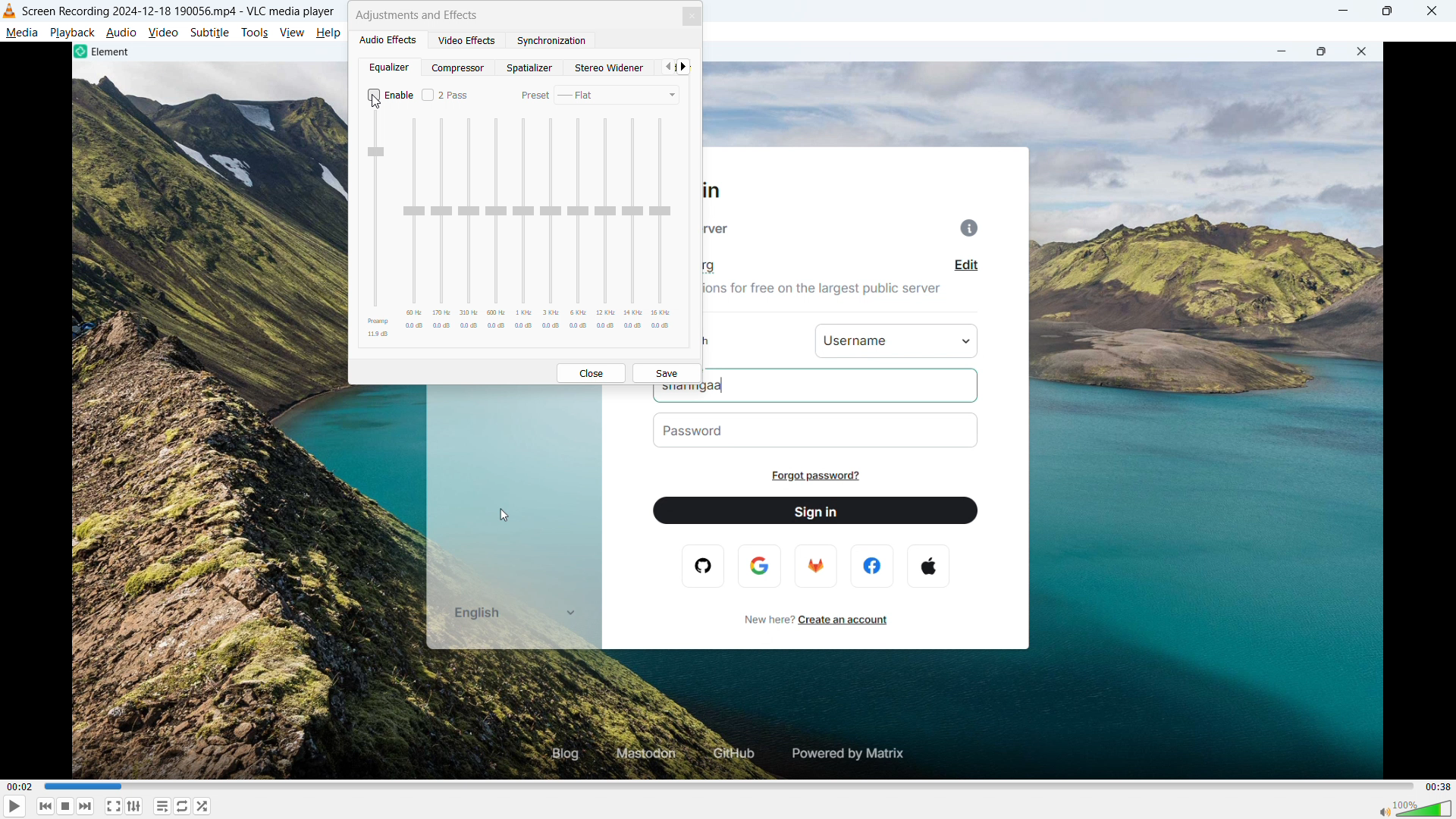  What do you see at coordinates (535, 96) in the screenshot?
I see `preset` at bounding box center [535, 96].